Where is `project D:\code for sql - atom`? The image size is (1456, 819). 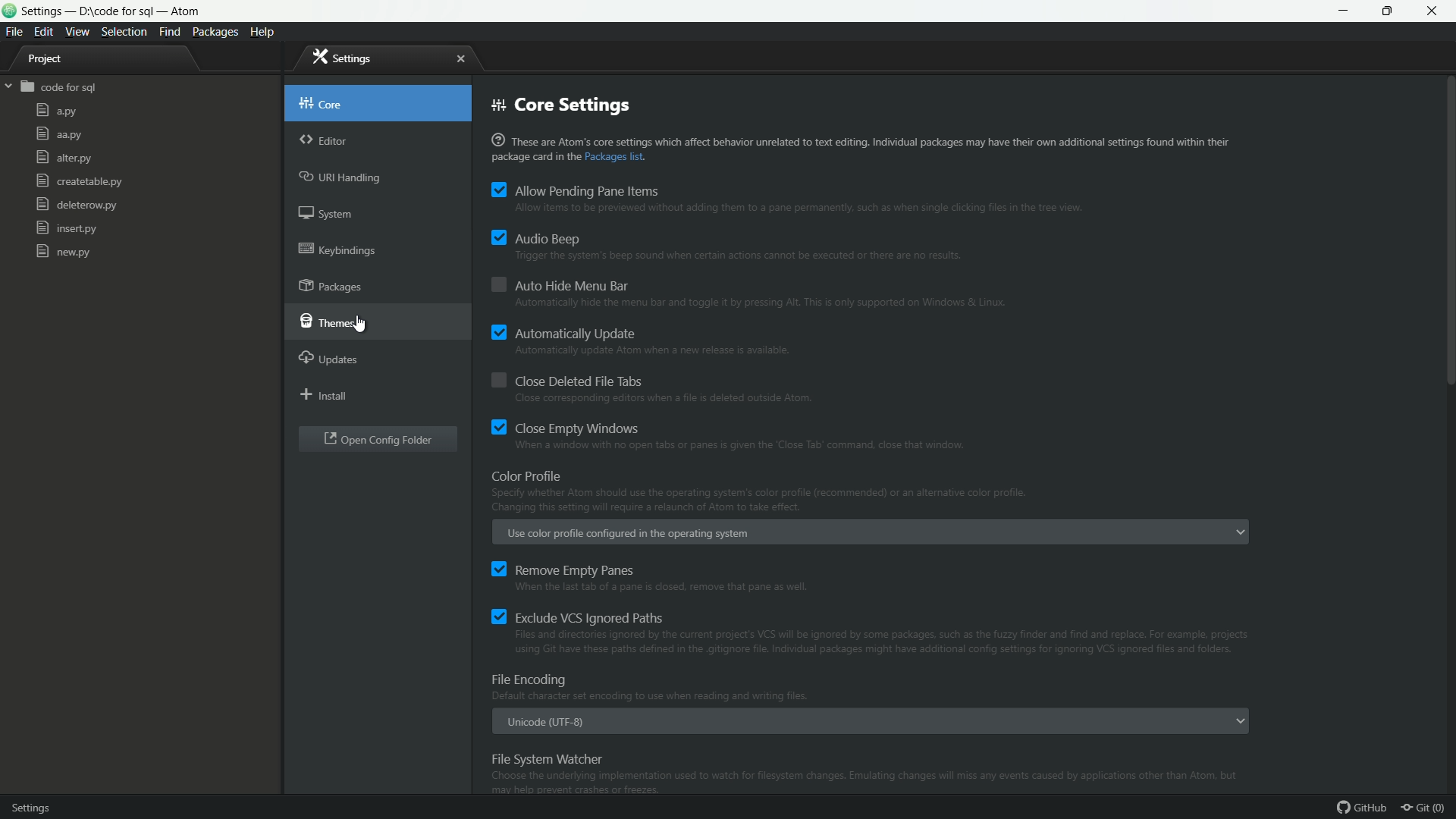
project D:\code for sql - atom is located at coordinates (112, 12).